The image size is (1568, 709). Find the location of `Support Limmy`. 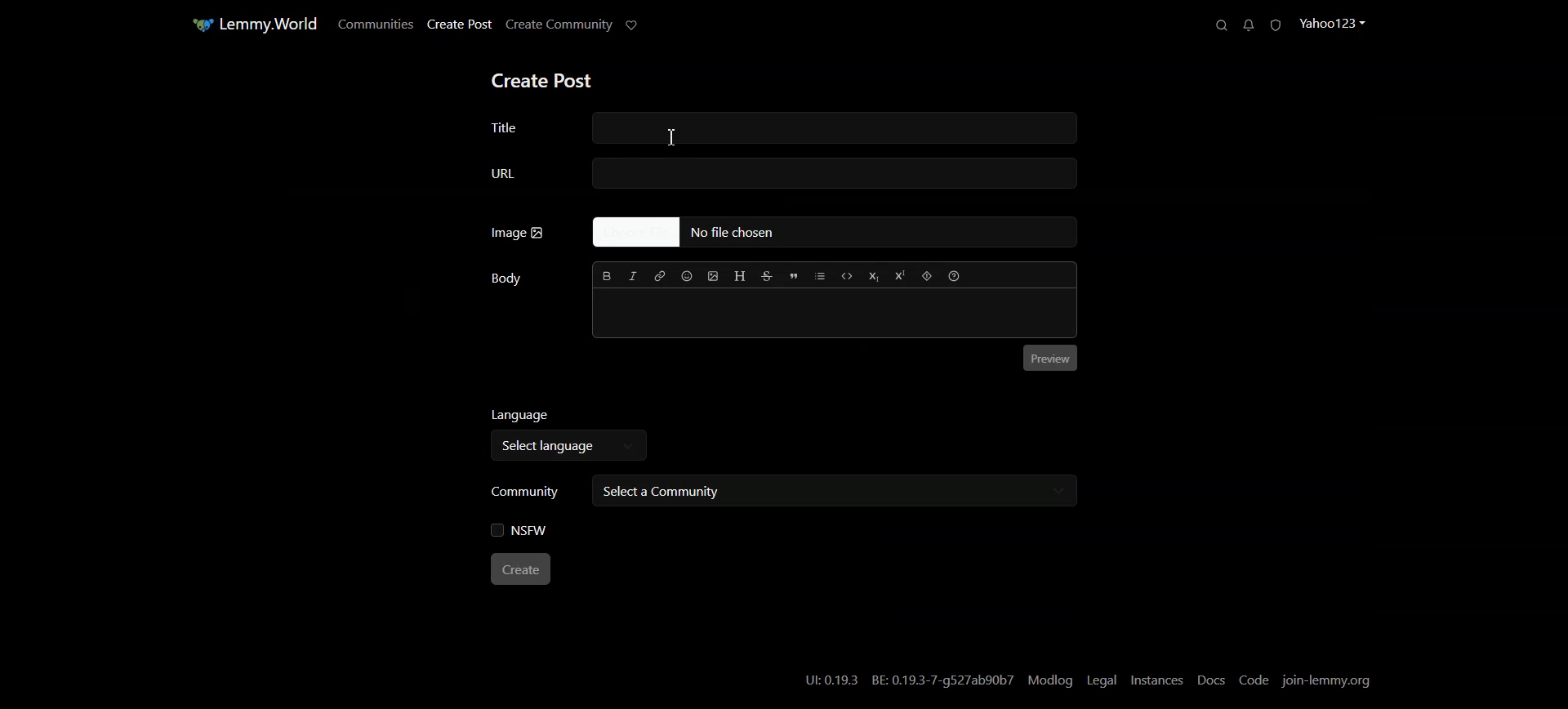

Support Limmy is located at coordinates (636, 26).